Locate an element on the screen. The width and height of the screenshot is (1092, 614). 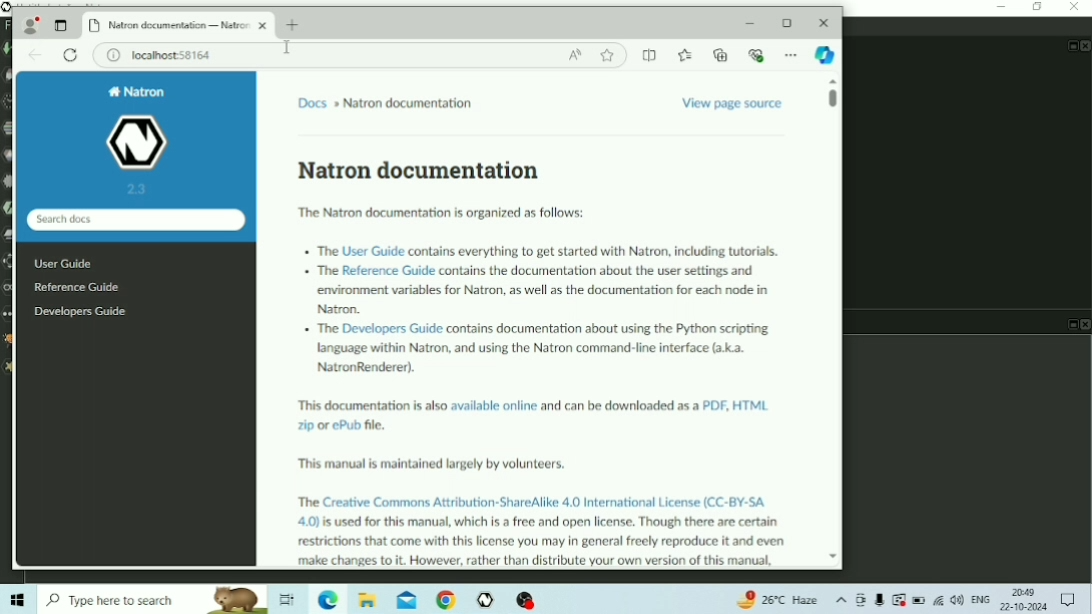
Task View is located at coordinates (289, 600).